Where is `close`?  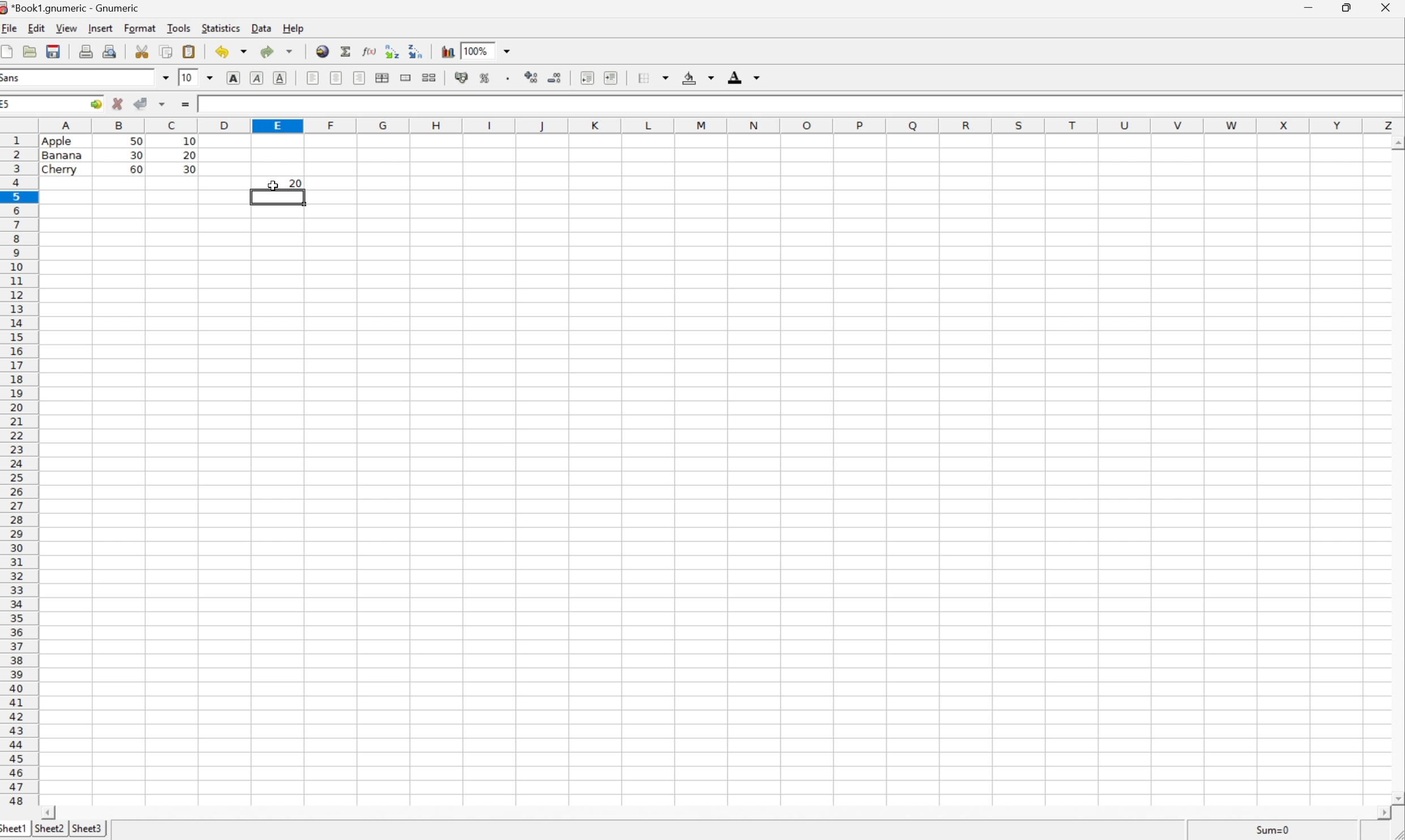
close is located at coordinates (1389, 8).